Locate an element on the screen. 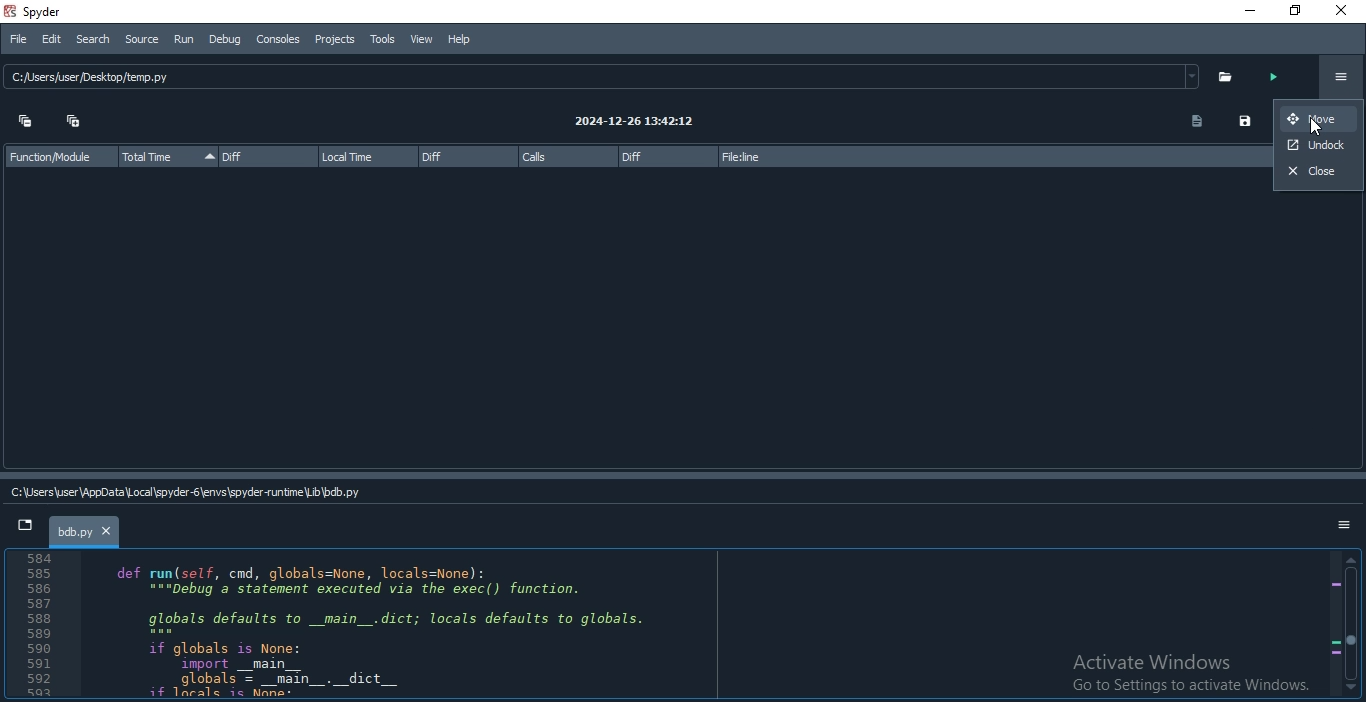 The image size is (1366, 702). File  is located at coordinates (18, 37).